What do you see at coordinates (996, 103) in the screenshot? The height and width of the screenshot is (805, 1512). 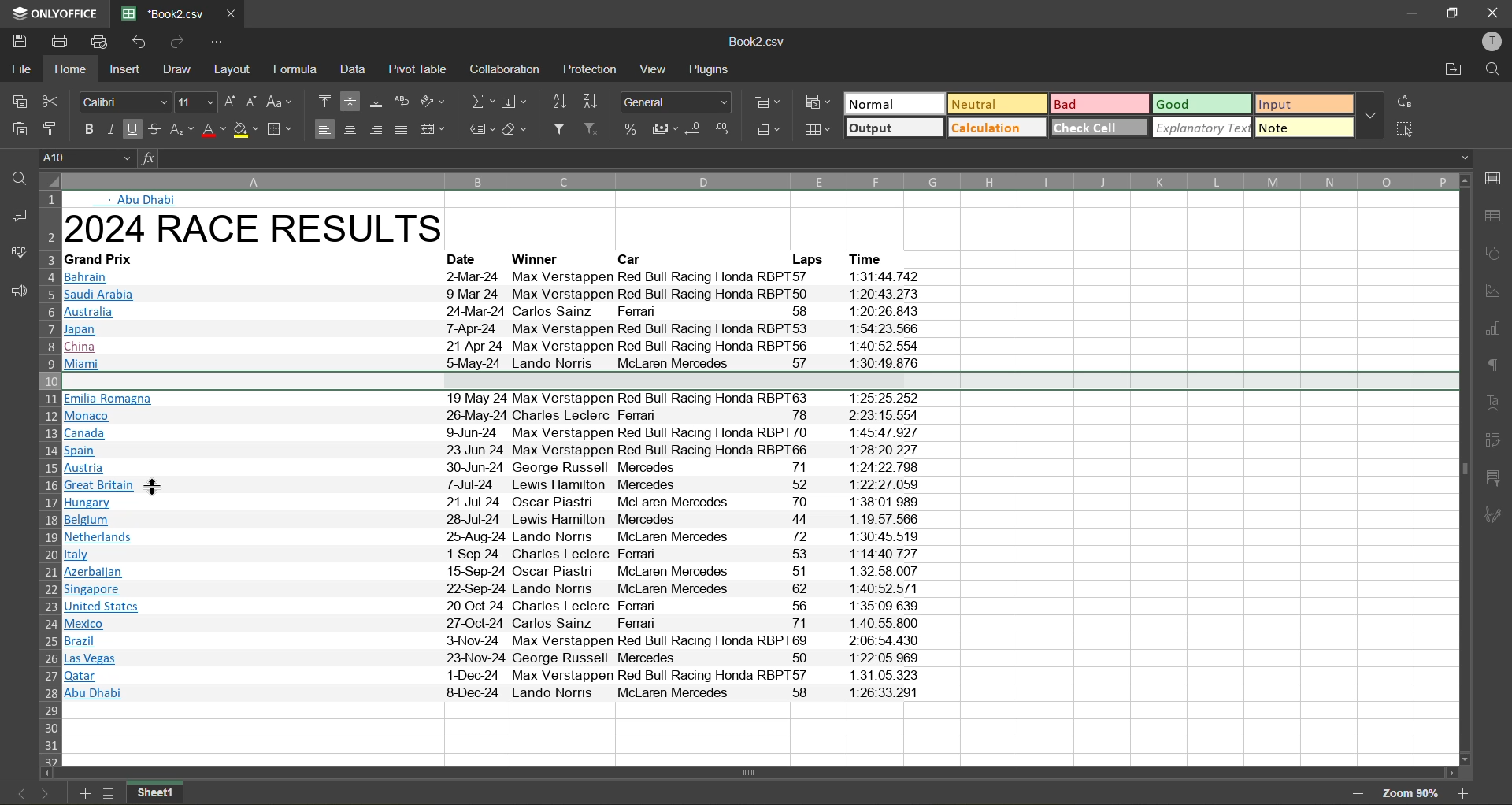 I see `neutral` at bounding box center [996, 103].